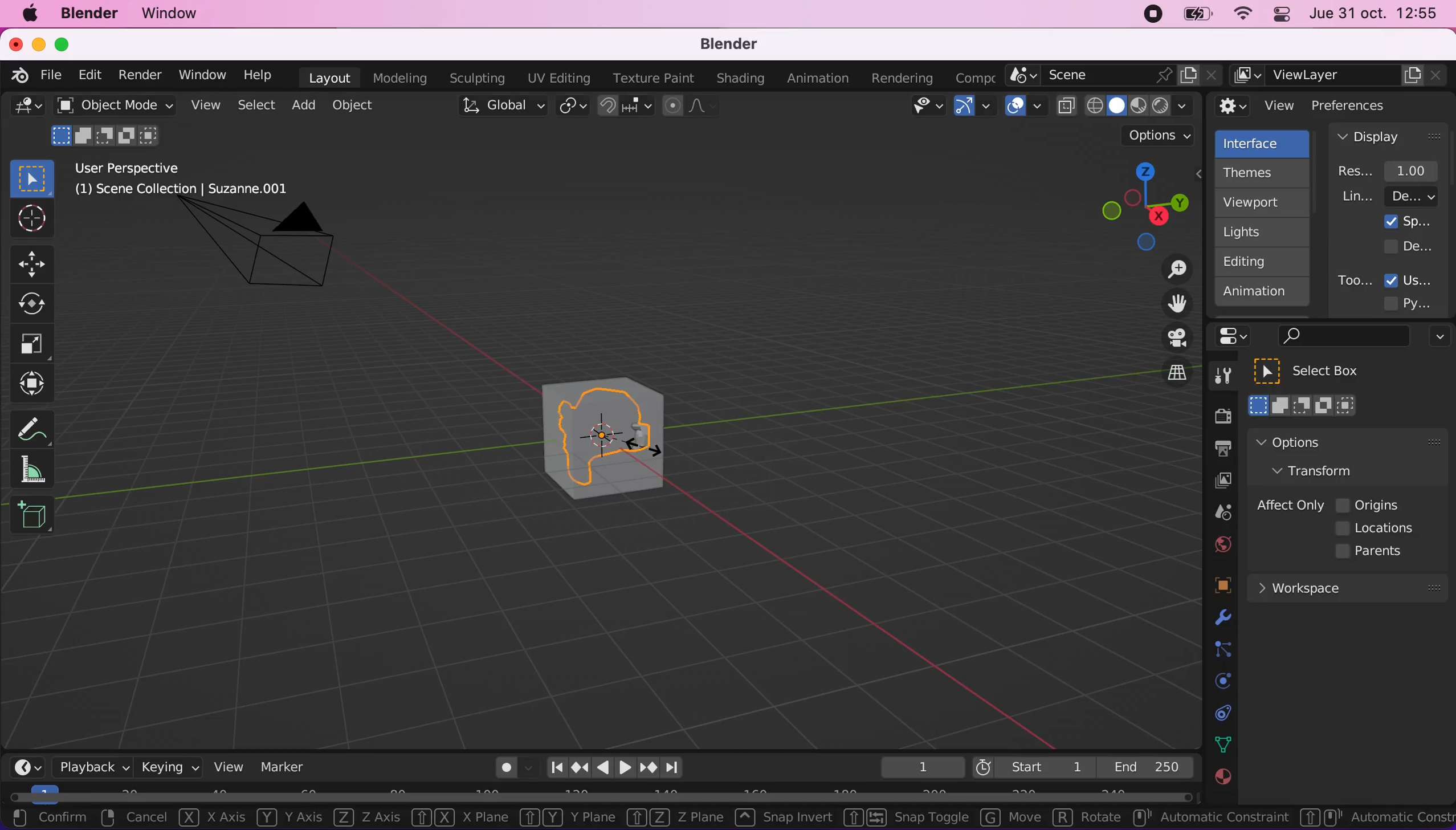 The height and width of the screenshot is (830, 1456). Describe the element at coordinates (37, 262) in the screenshot. I see `` at that location.